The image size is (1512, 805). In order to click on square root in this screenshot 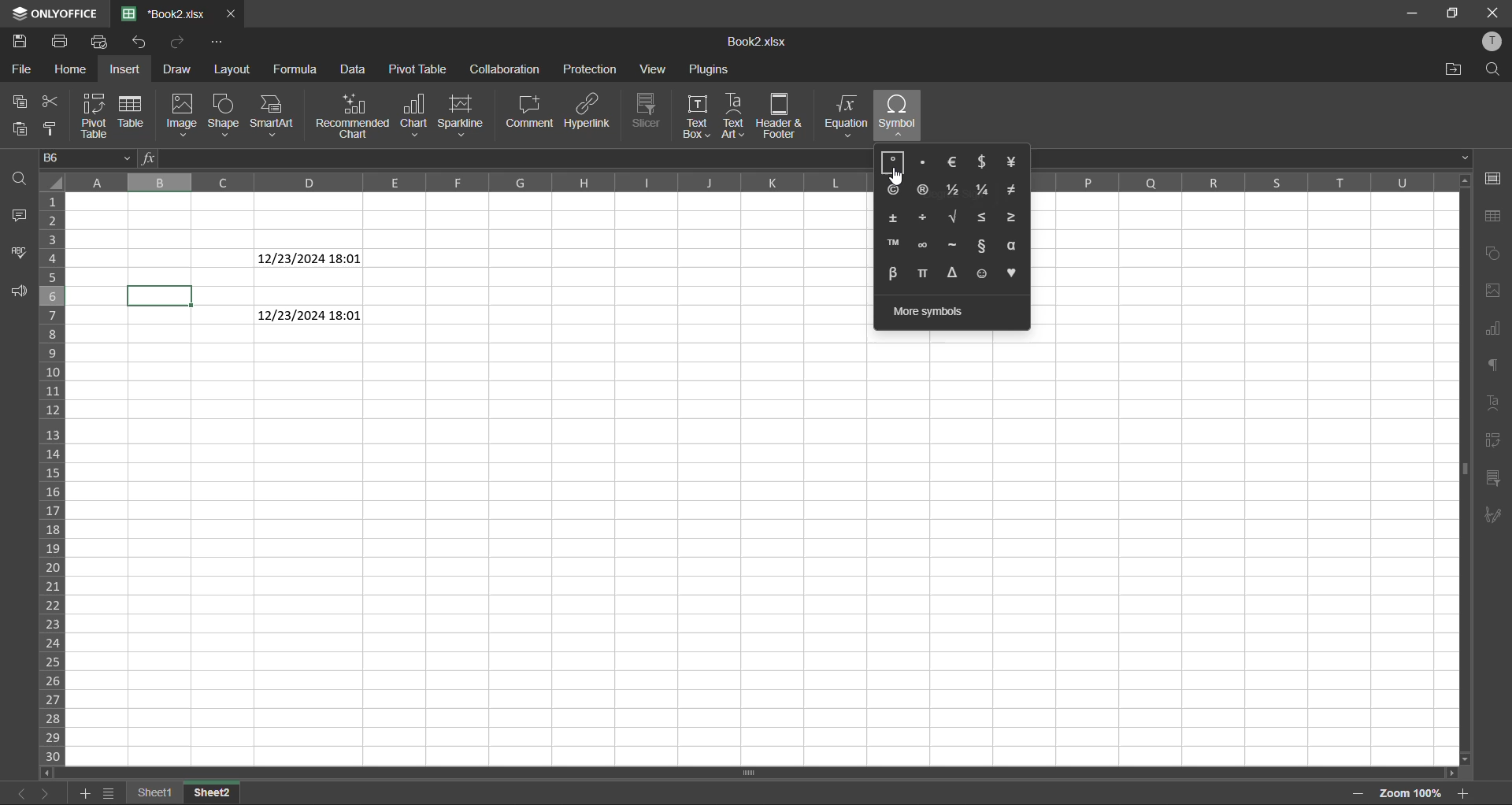, I will do `click(952, 218)`.